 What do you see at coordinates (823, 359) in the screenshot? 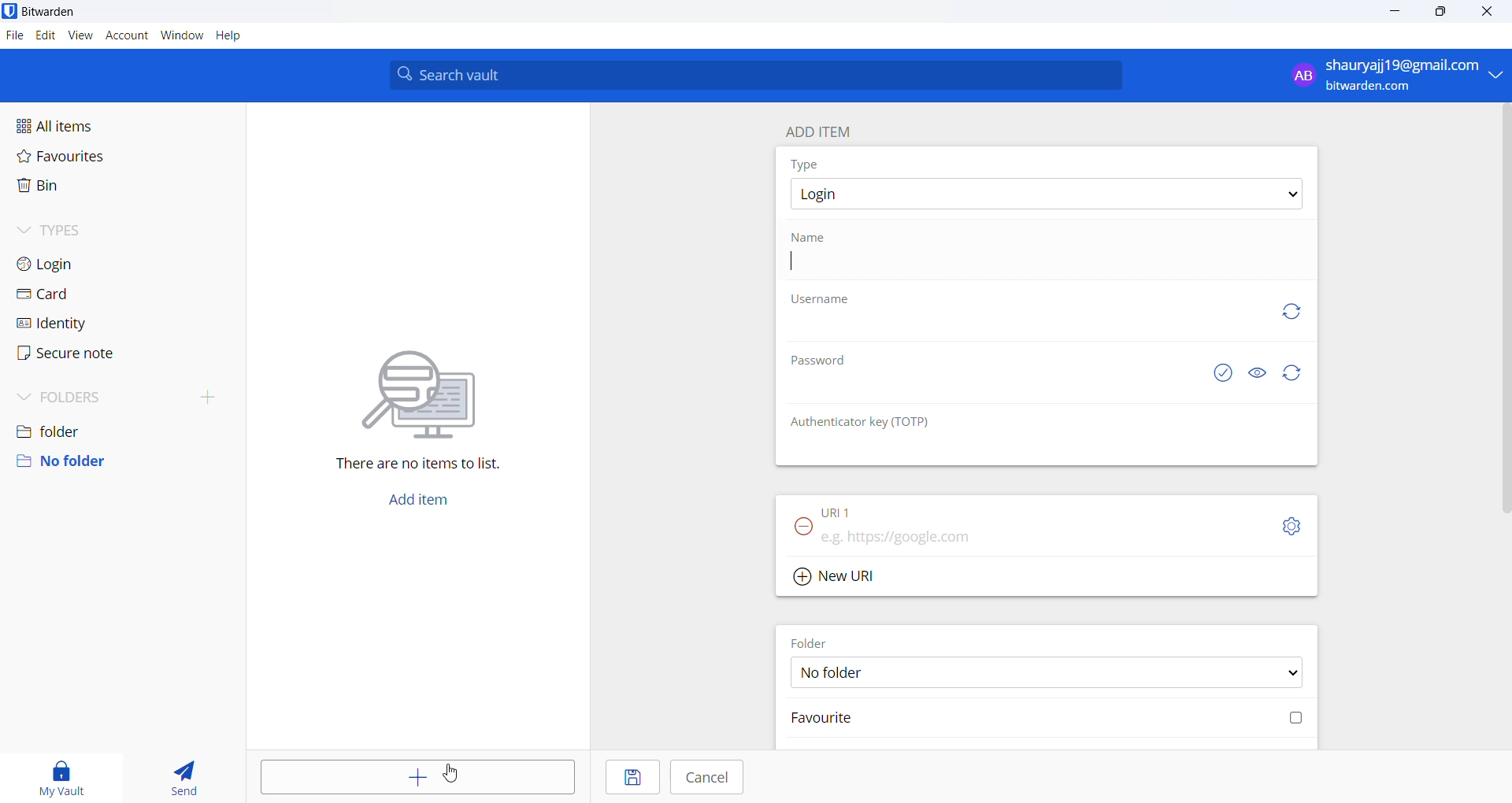
I see `password` at bounding box center [823, 359].